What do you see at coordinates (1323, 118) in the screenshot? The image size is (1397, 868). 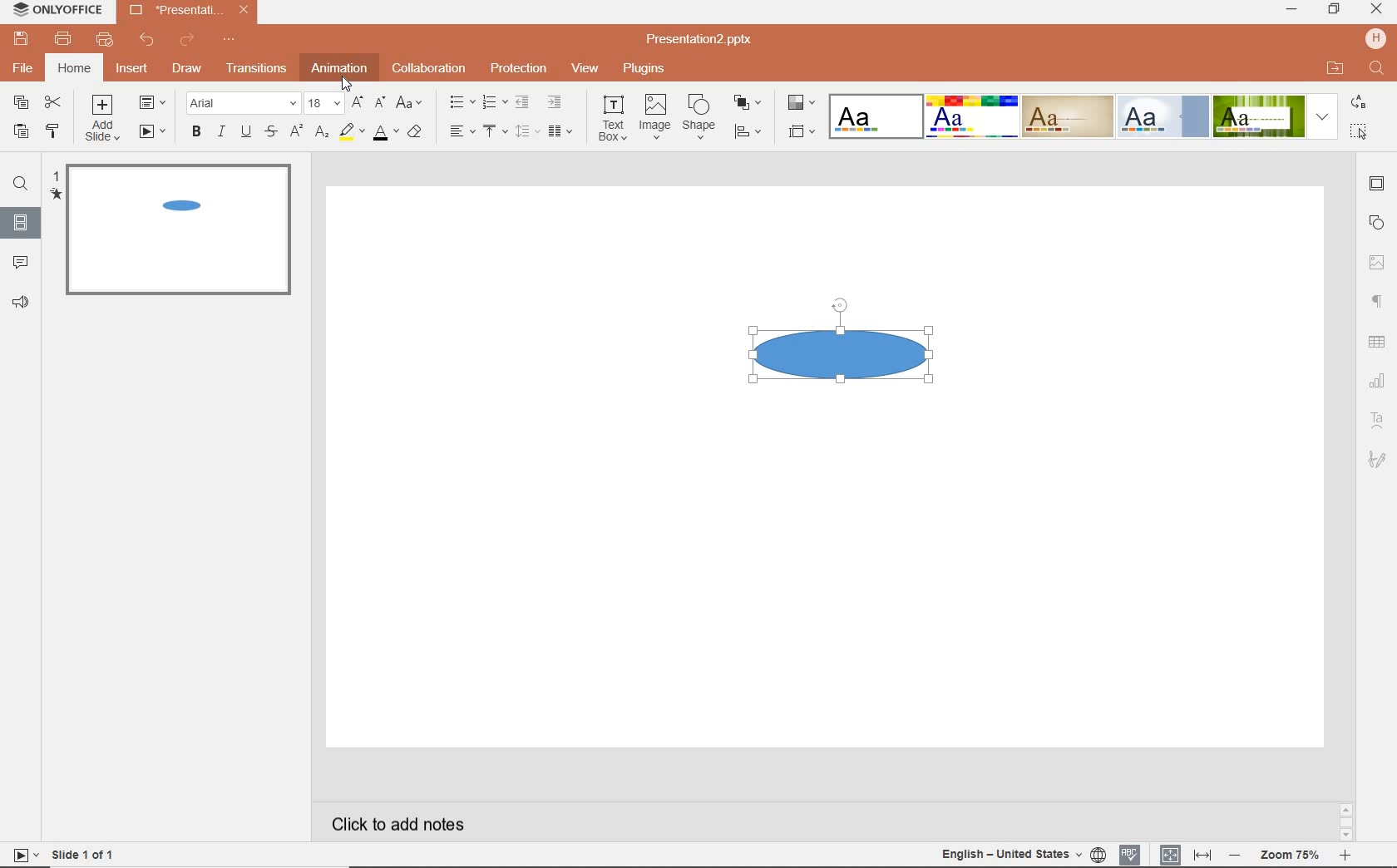 I see `expand` at bounding box center [1323, 118].